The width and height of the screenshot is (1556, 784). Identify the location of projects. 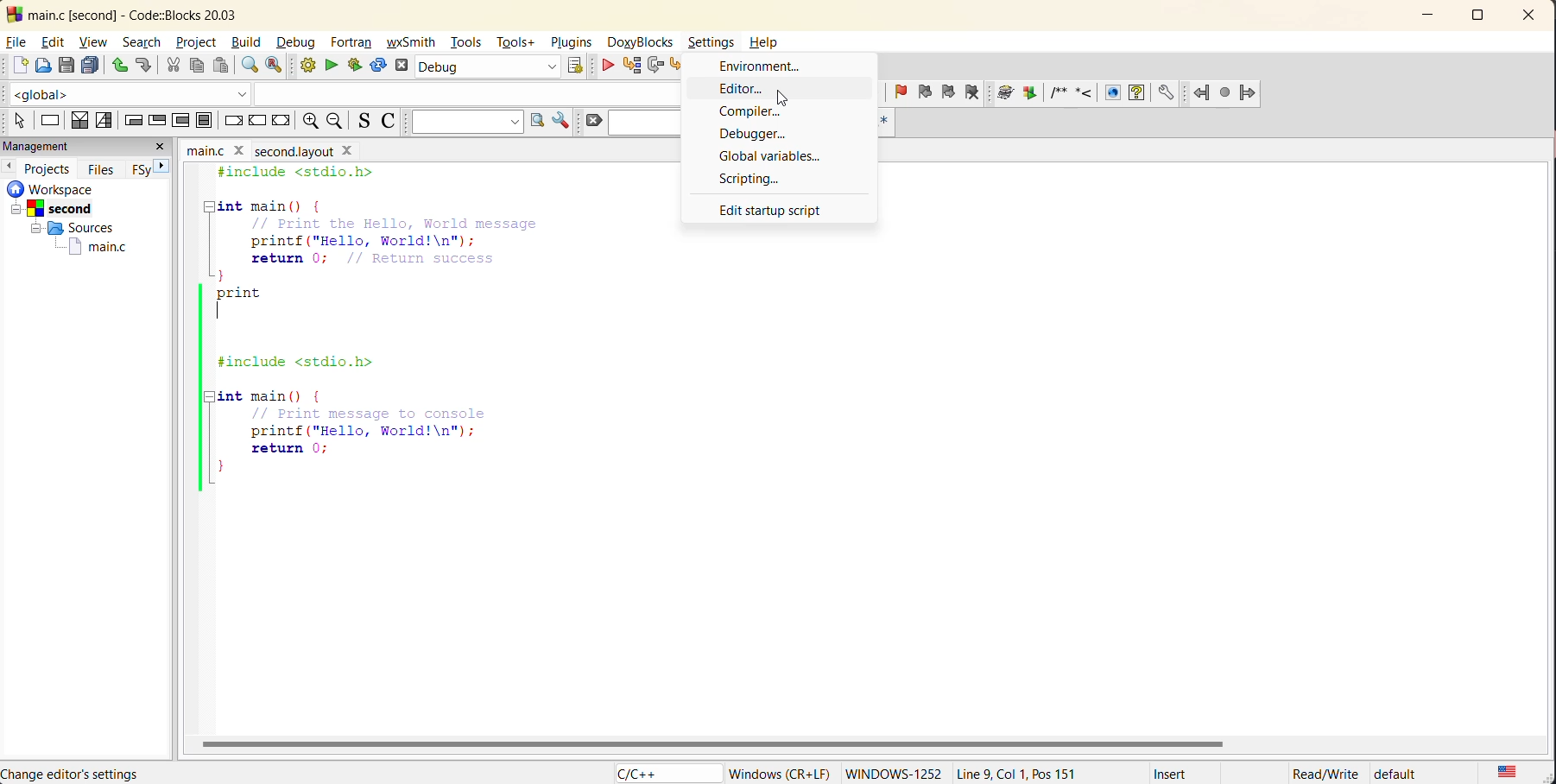
(52, 167).